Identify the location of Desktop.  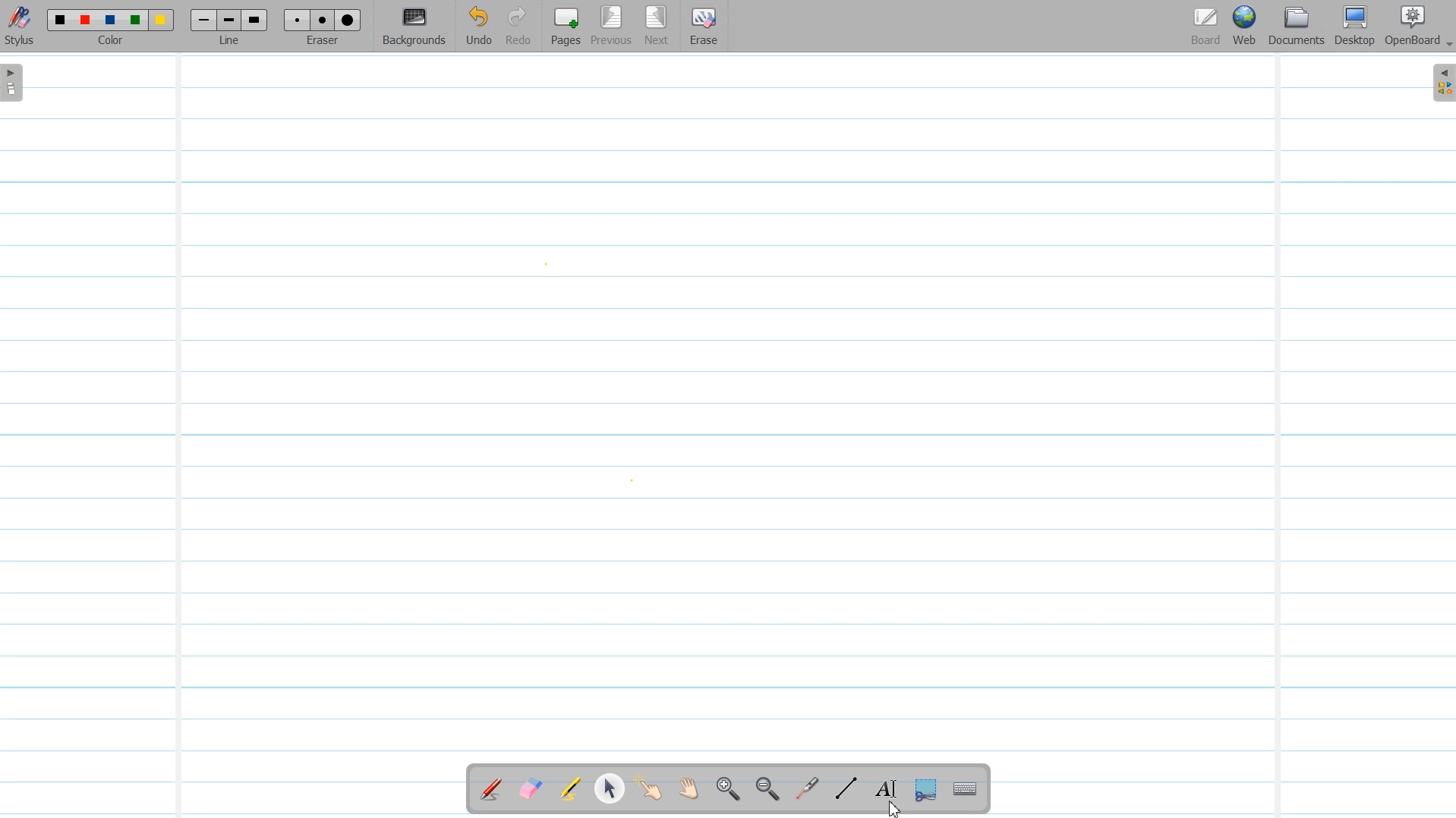
(1354, 27).